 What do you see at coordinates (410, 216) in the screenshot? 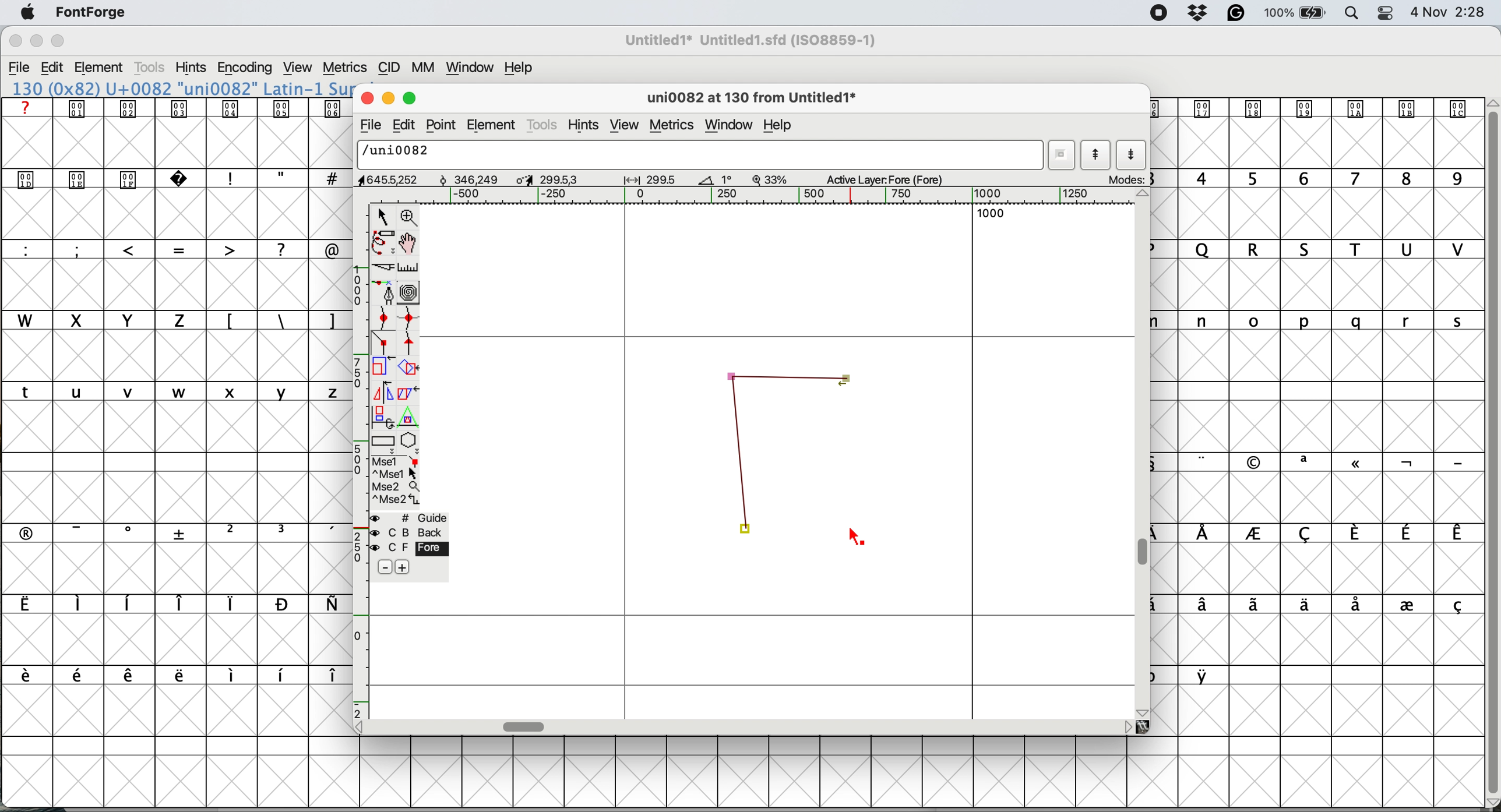
I see `zoom` at bounding box center [410, 216].